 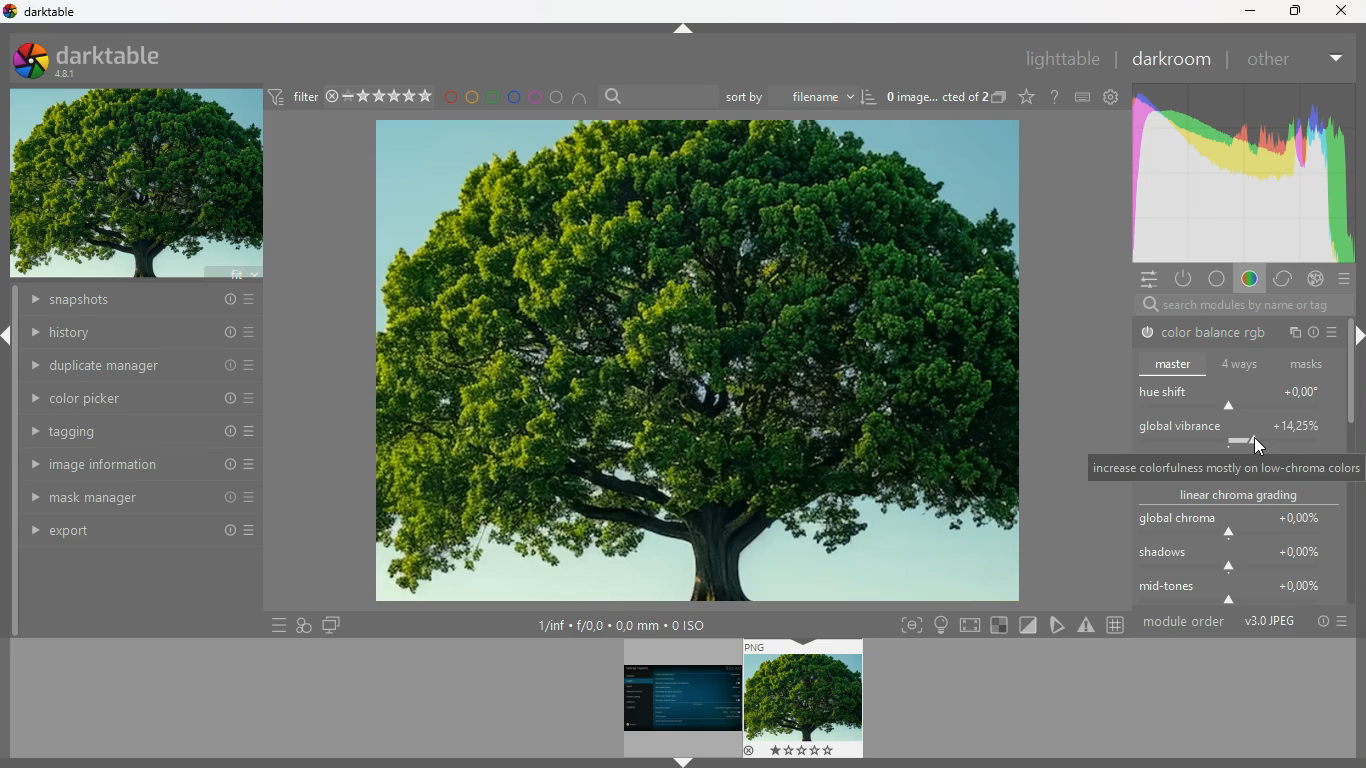 What do you see at coordinates (1234, 306) in the screenshot?
I see `search` at bounding box center [1234, 306].